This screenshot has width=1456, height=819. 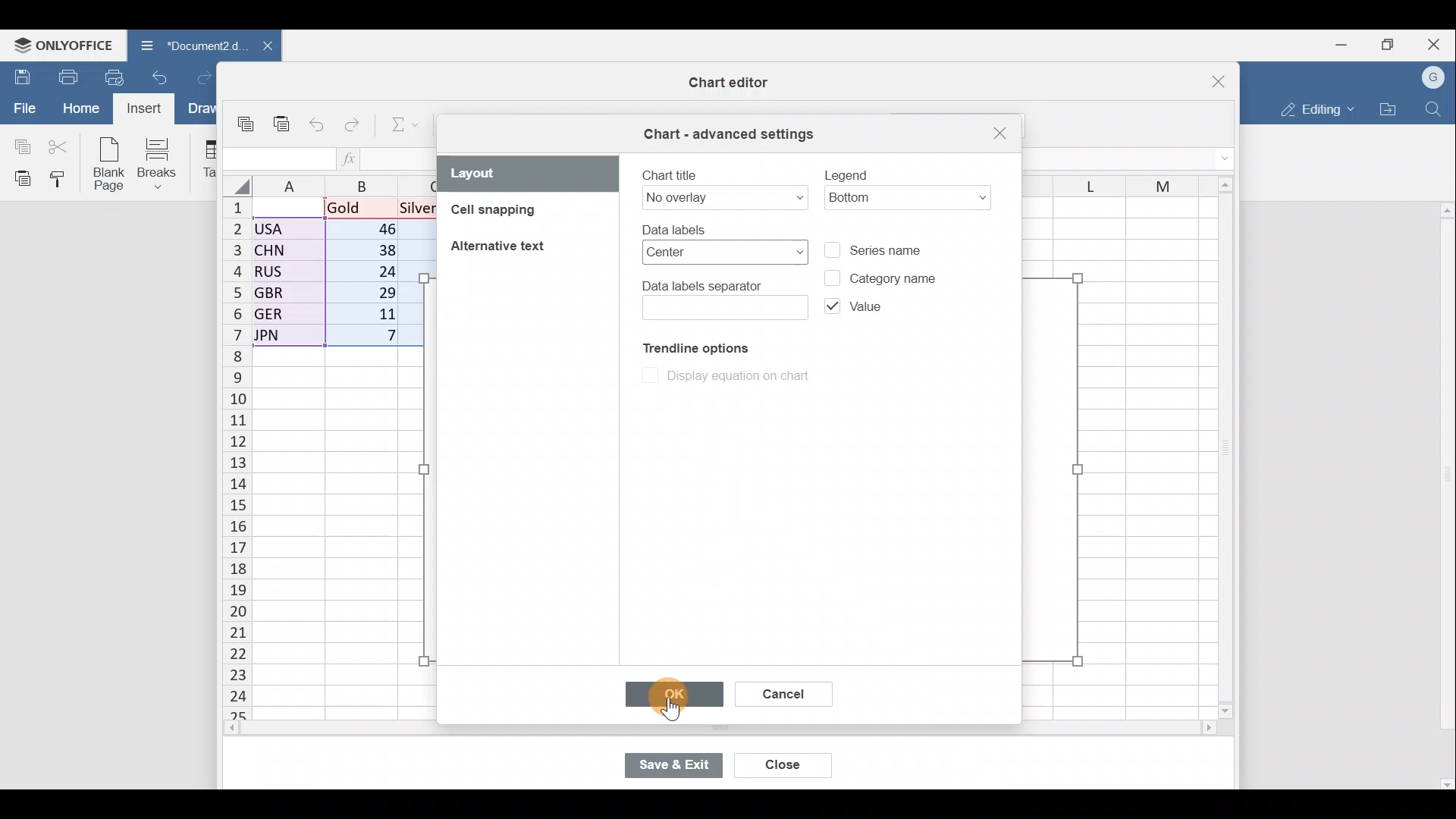 What do you see at coordinates (882, 274) in the screenshot?
I see `Category name` at bounding box center [882, 274].